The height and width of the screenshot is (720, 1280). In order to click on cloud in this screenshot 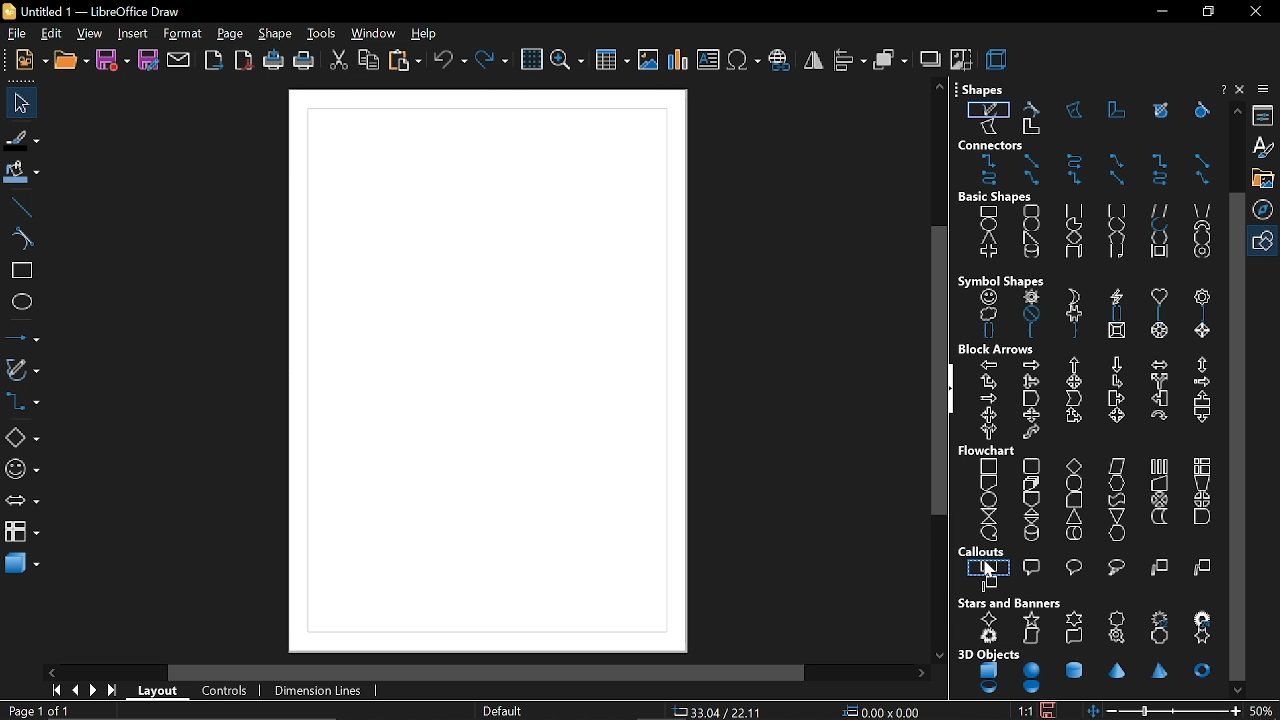, I will do `click(1114, 568)`.